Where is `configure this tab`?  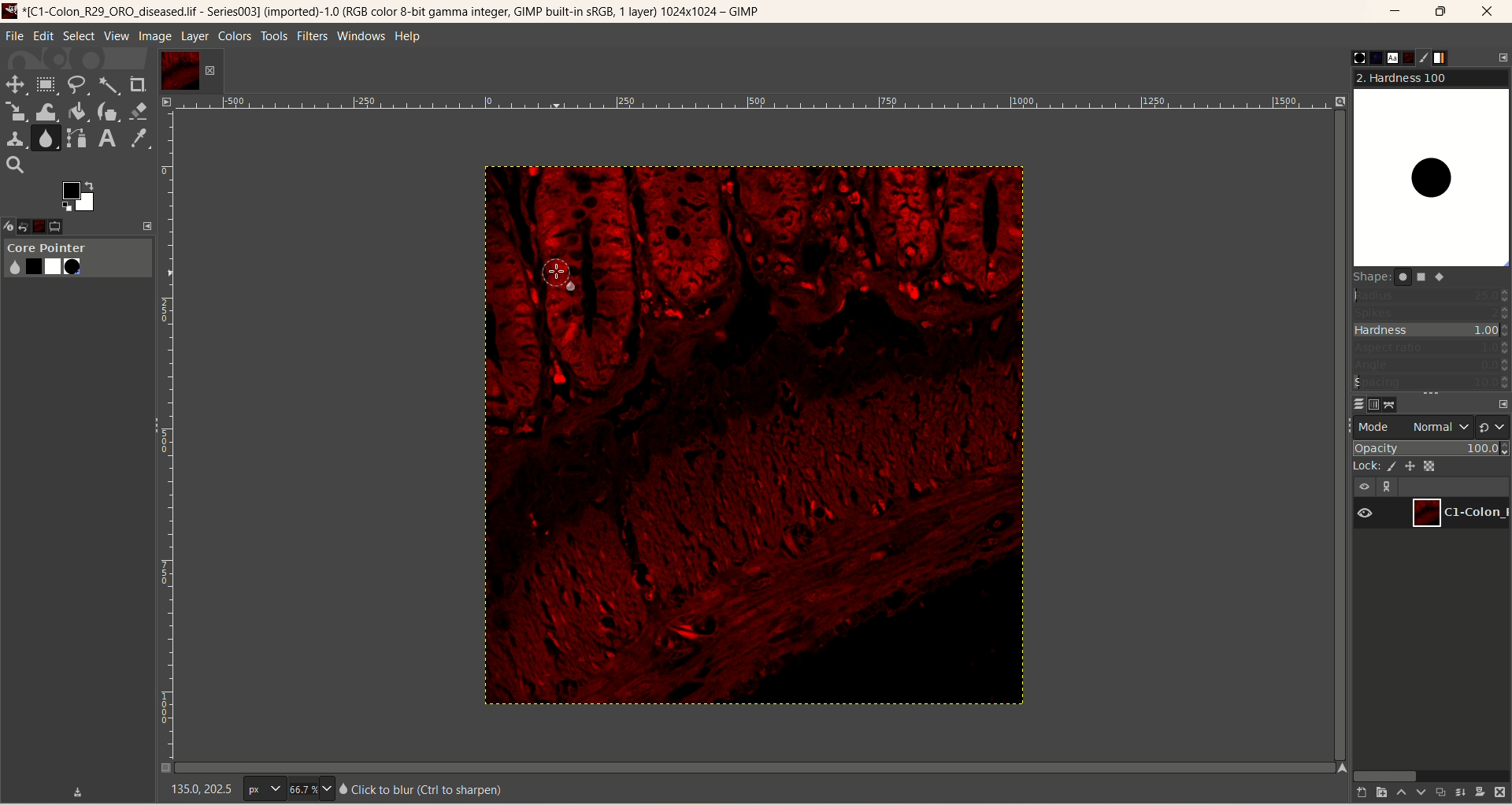 configure this tab is located at coordinates (1503, 57).